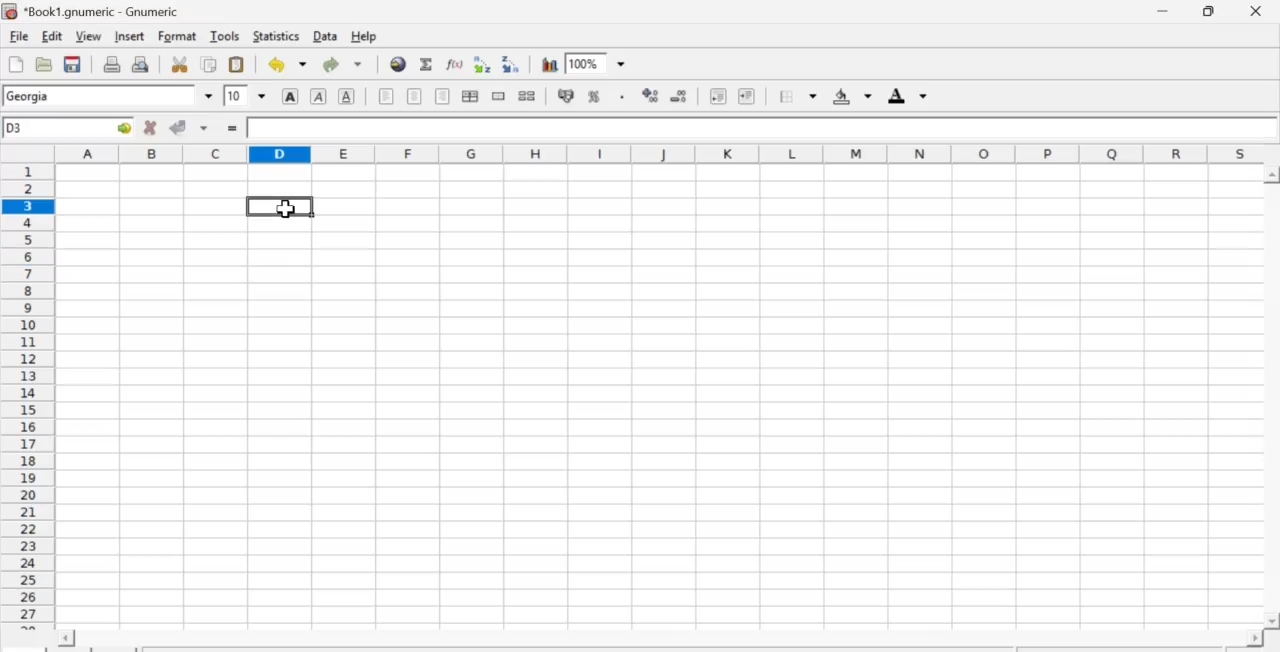 This screenshot has width=1280, height=652. I want to click on File, so click(18, 37).